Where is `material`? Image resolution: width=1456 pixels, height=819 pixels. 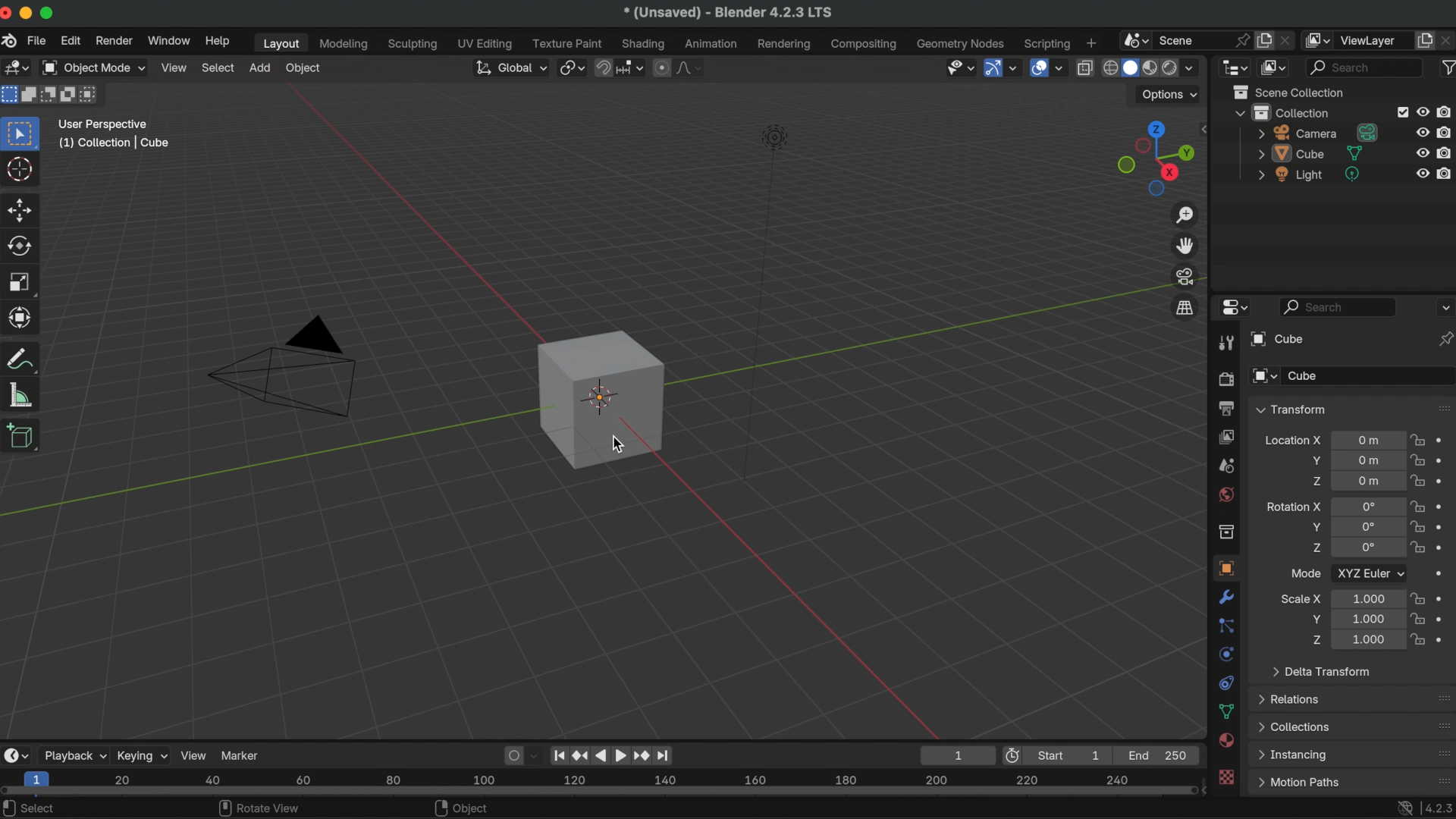 material is located at coordinates (1227, 742).